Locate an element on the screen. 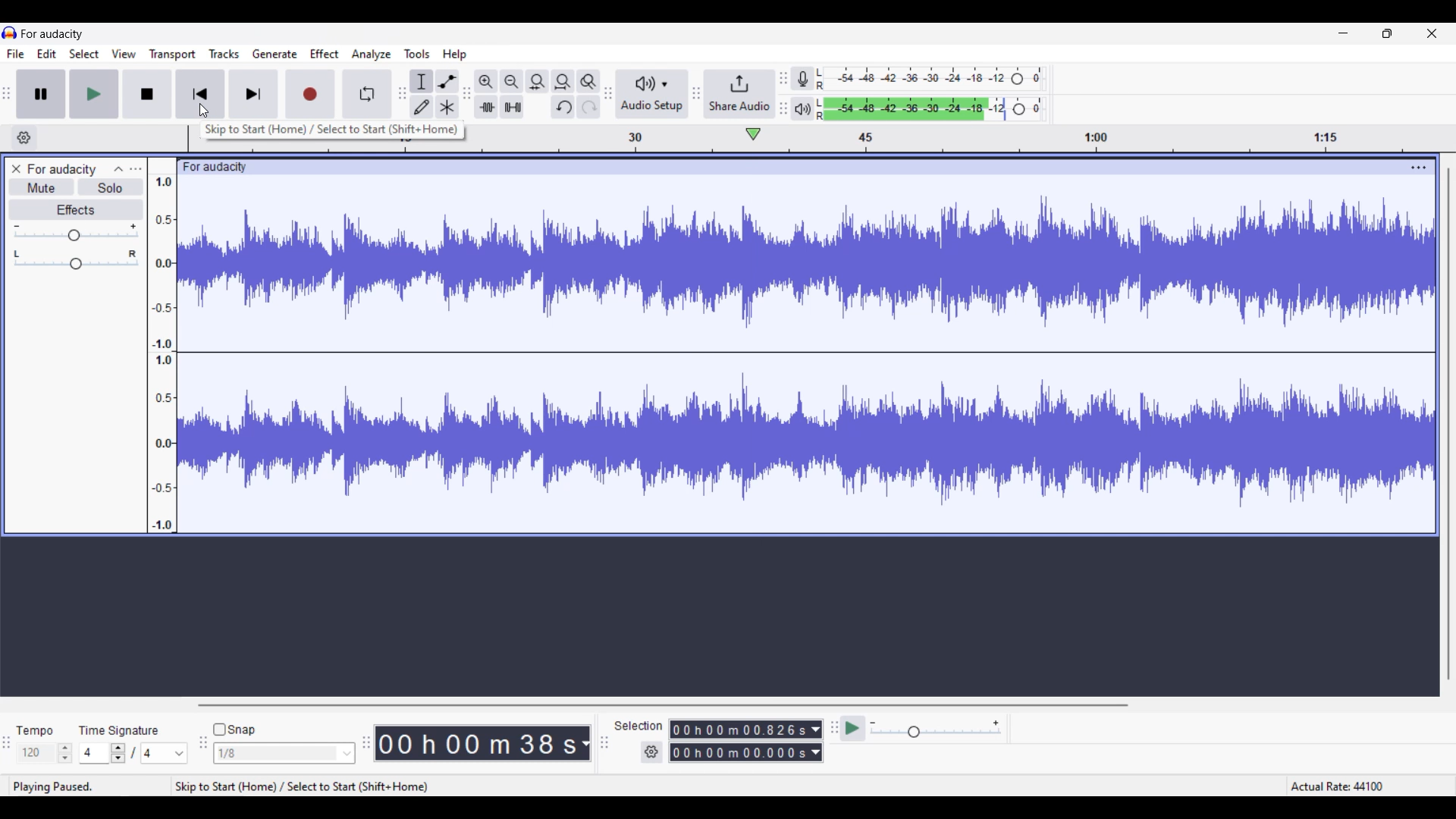 This screenshot has width=1456, height=819. Redo is located at coordinates (588, 107).